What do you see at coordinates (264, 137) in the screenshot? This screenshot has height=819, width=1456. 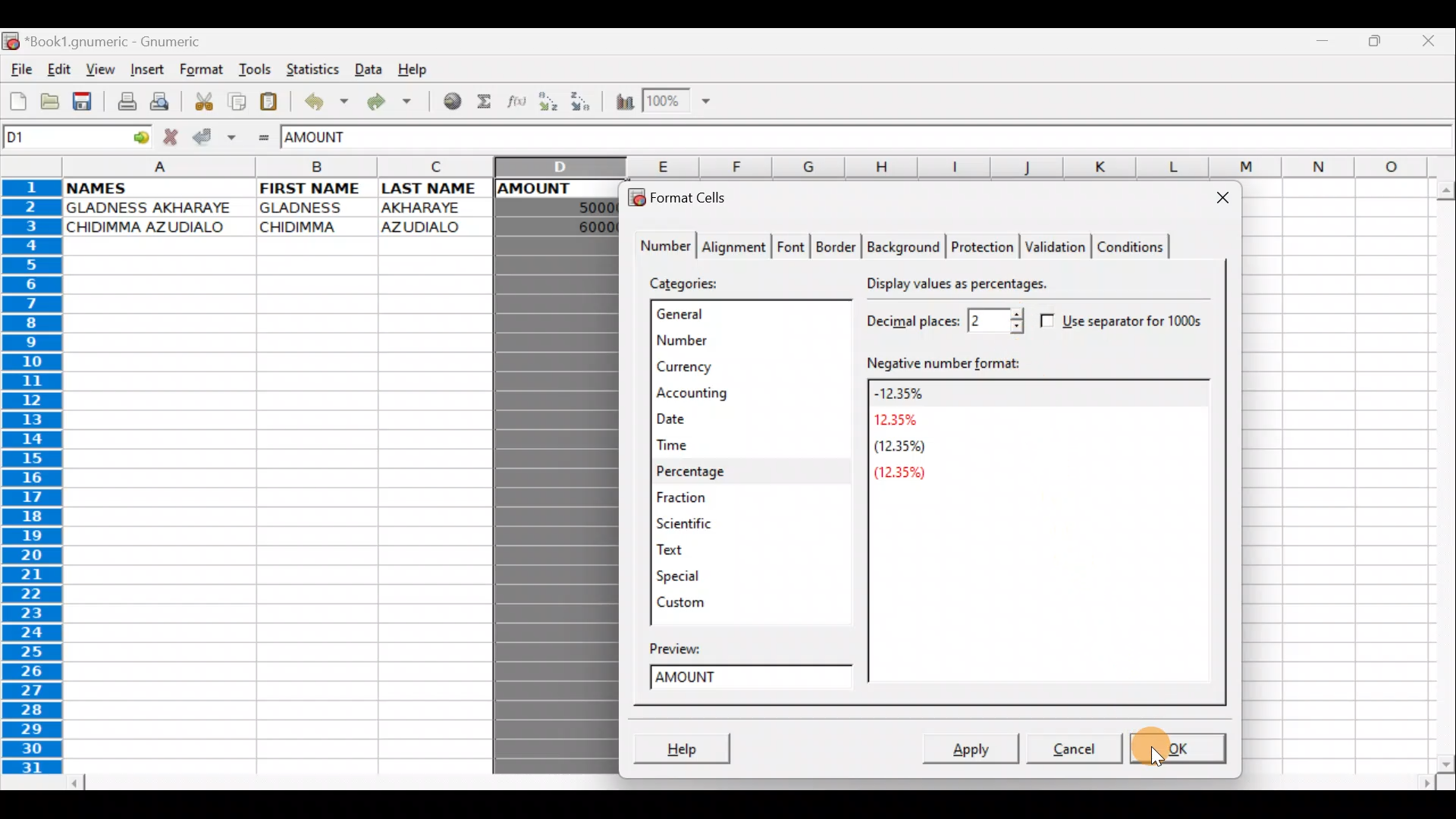 I see `Enter formula` at bounding box center [264, 137].